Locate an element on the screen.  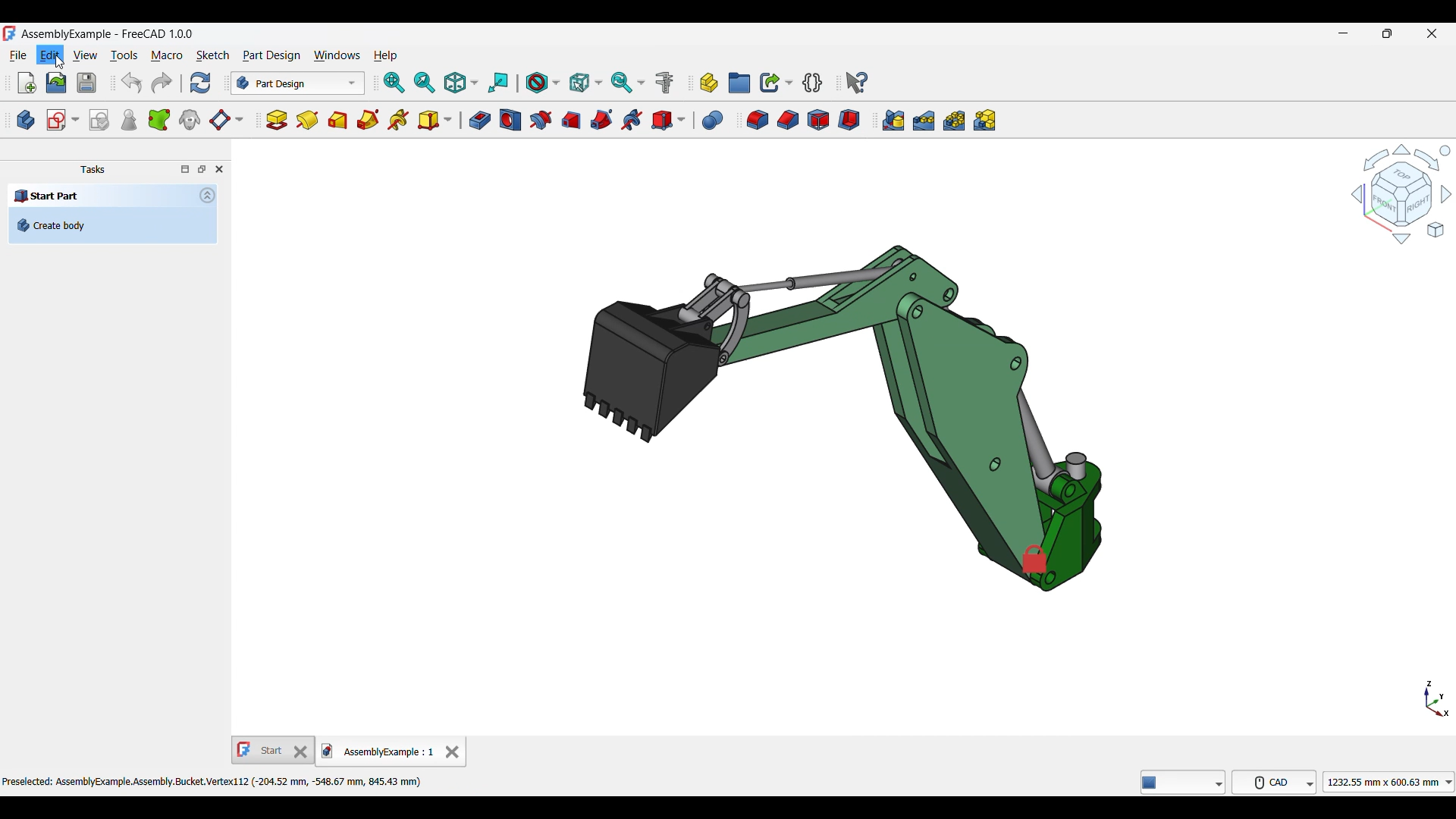
Subtractive loft is located at coordinates (572, 121).